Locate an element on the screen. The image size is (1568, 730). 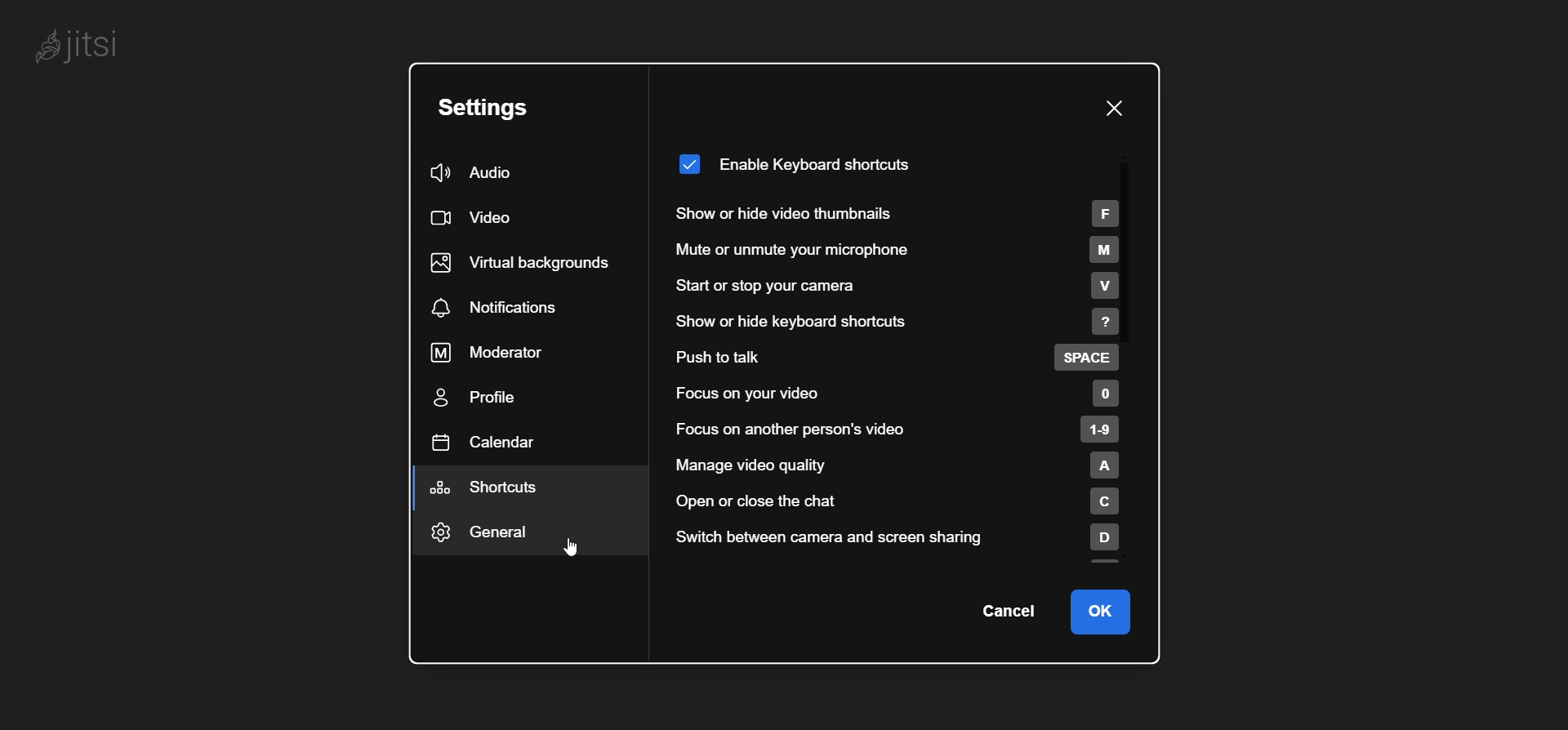
audio is located at coordinates (474, 174).